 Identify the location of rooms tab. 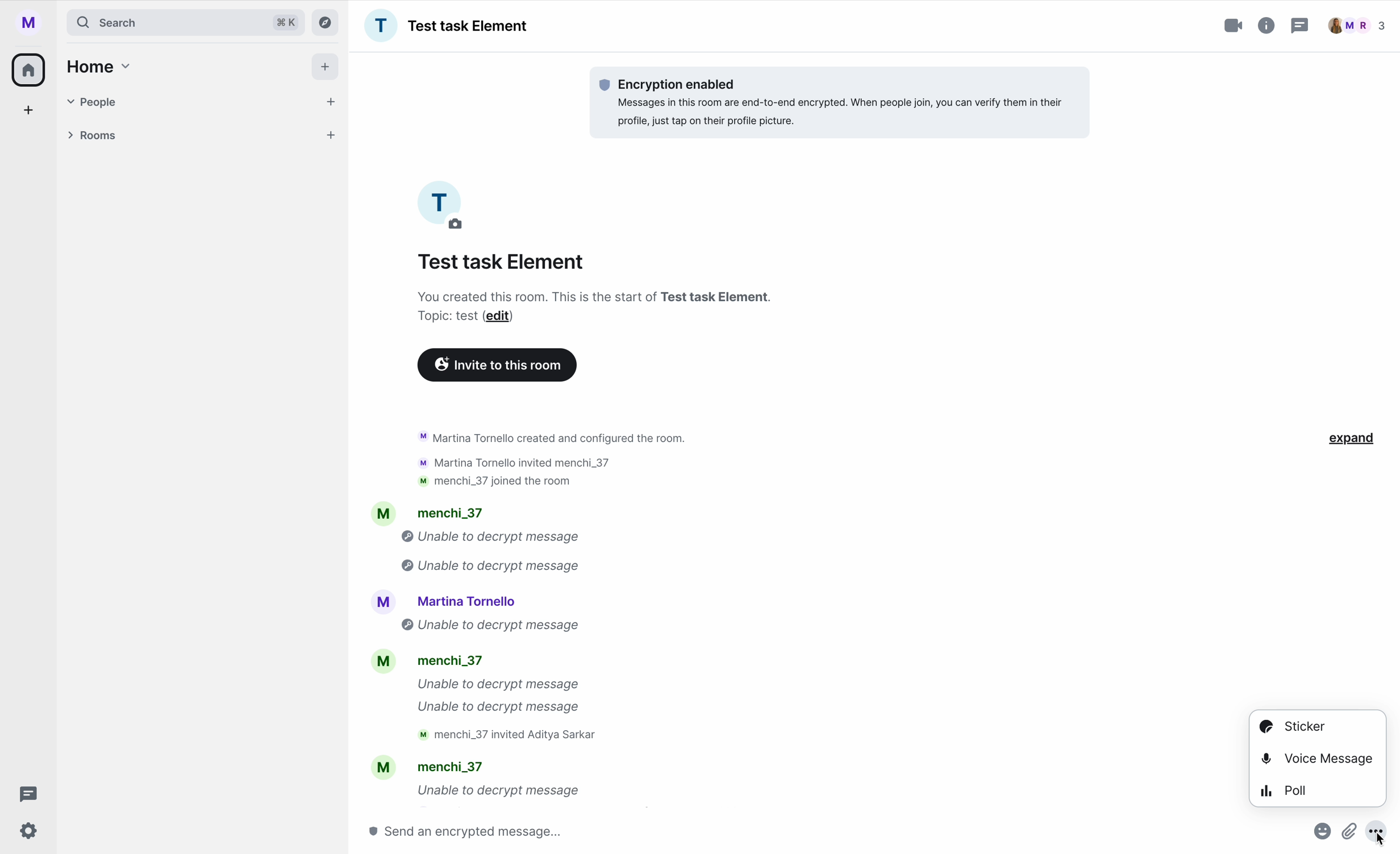
(198, 137).